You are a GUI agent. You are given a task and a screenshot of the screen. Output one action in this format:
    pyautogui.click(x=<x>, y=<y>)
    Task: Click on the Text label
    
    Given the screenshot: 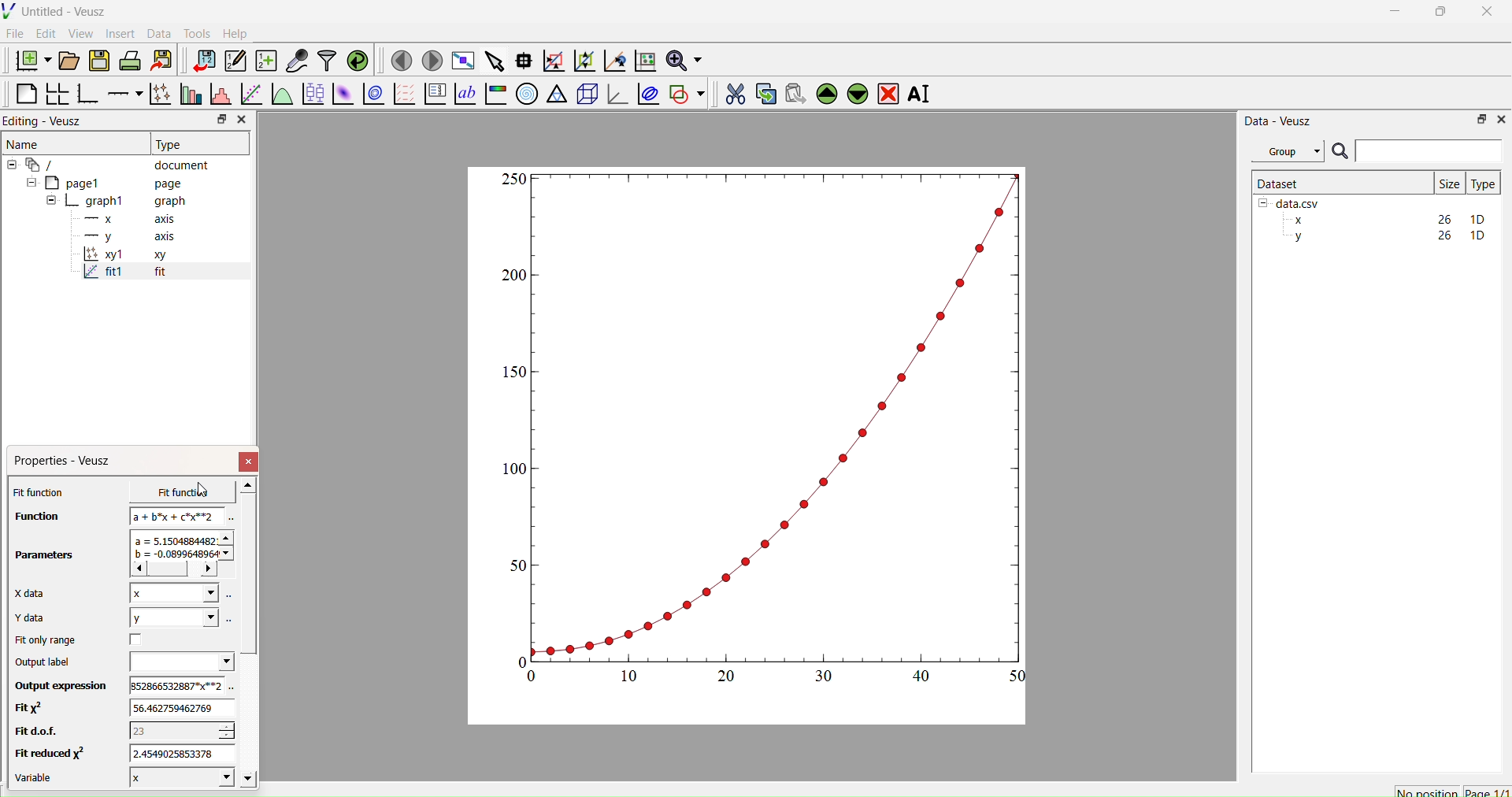 What is the action you would take?
    pyautogui.click(x=464, y=94)
    